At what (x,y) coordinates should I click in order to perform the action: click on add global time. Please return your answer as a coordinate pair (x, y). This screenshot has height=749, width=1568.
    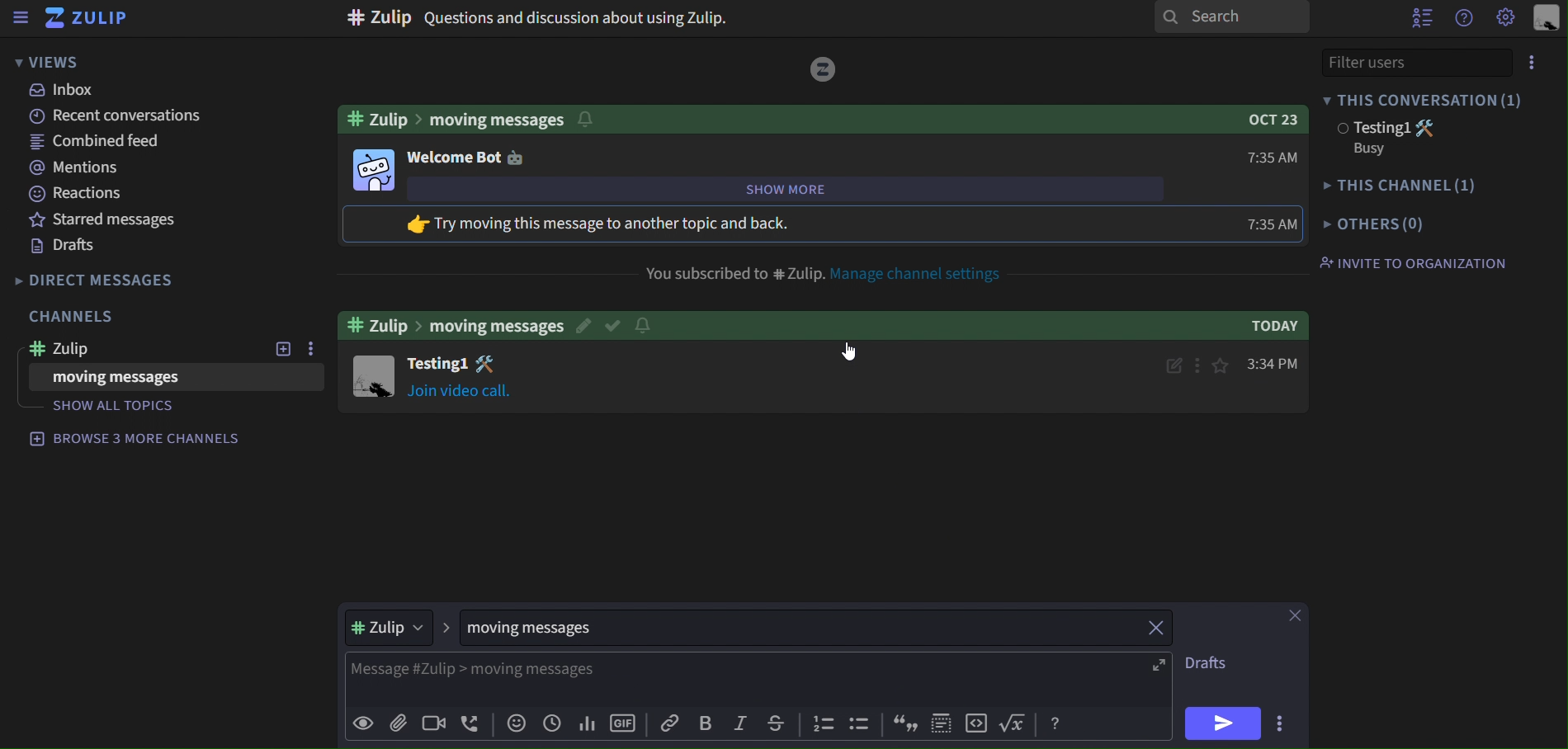
    Looking at the image, I should click on (550, 726).